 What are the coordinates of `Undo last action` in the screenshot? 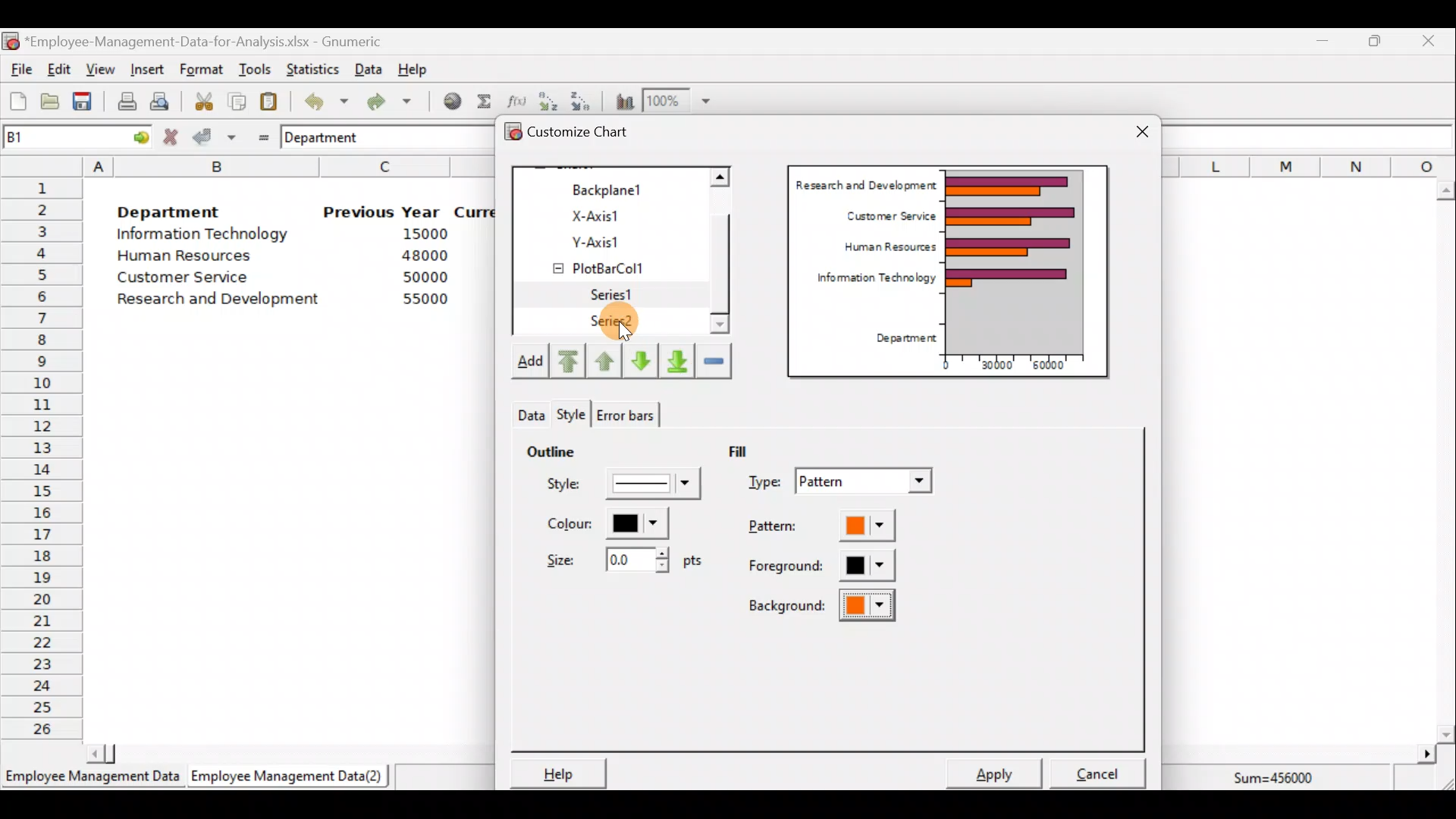 It's located at (318, 98).